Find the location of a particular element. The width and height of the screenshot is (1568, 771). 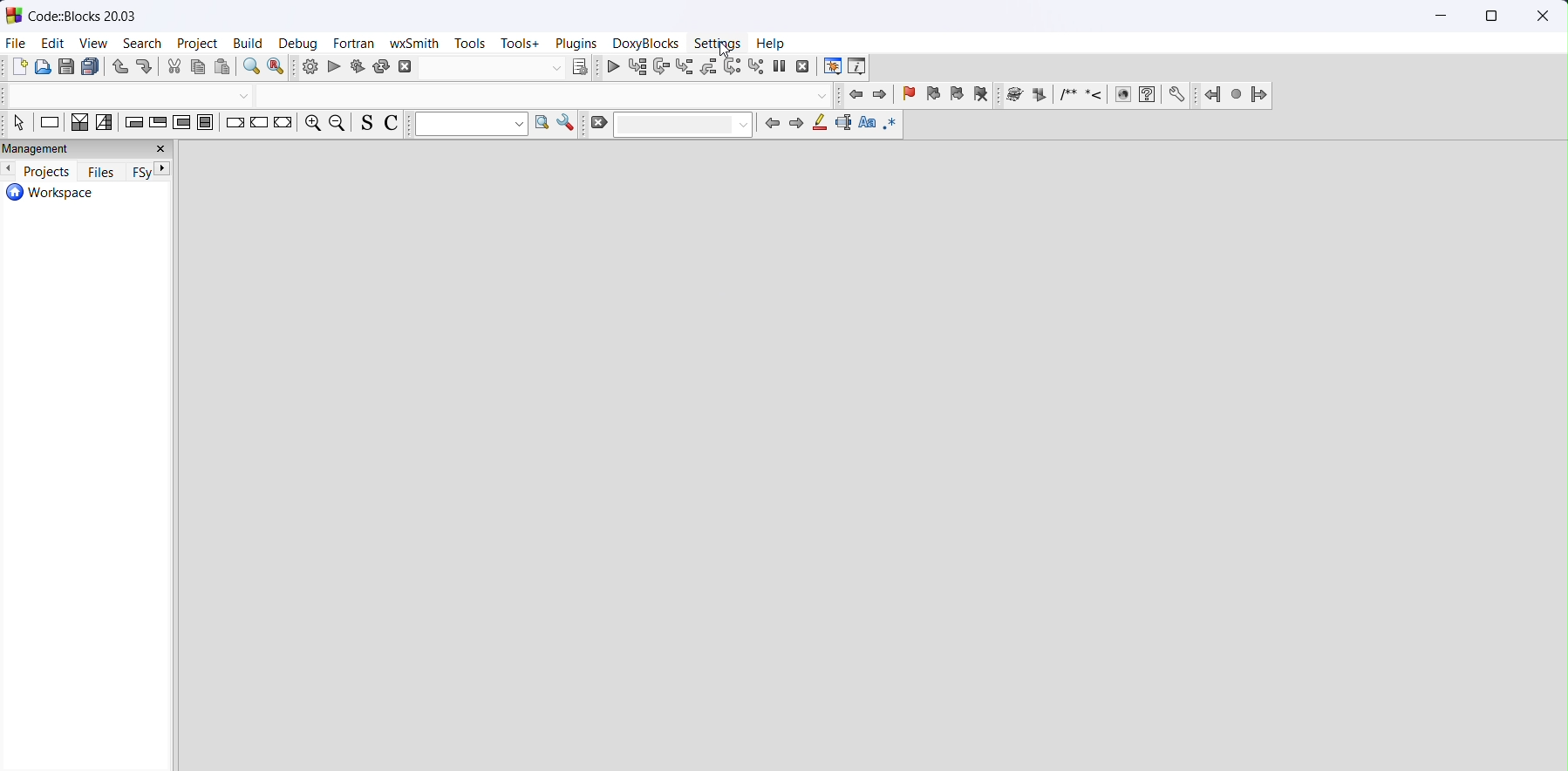

code completion is located at coordinates (424, 96).